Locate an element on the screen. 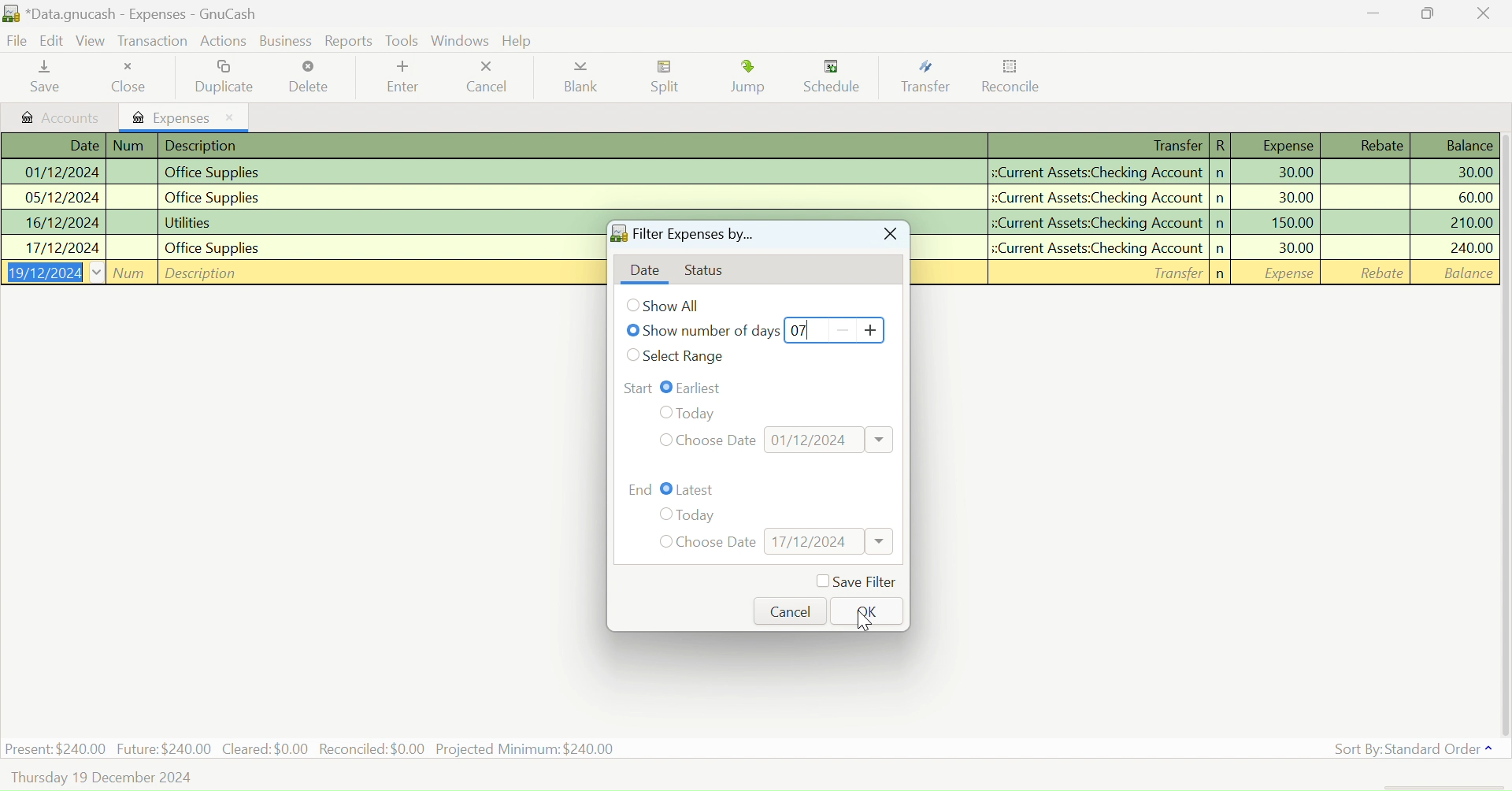  View is located at coordinates (91, 43).